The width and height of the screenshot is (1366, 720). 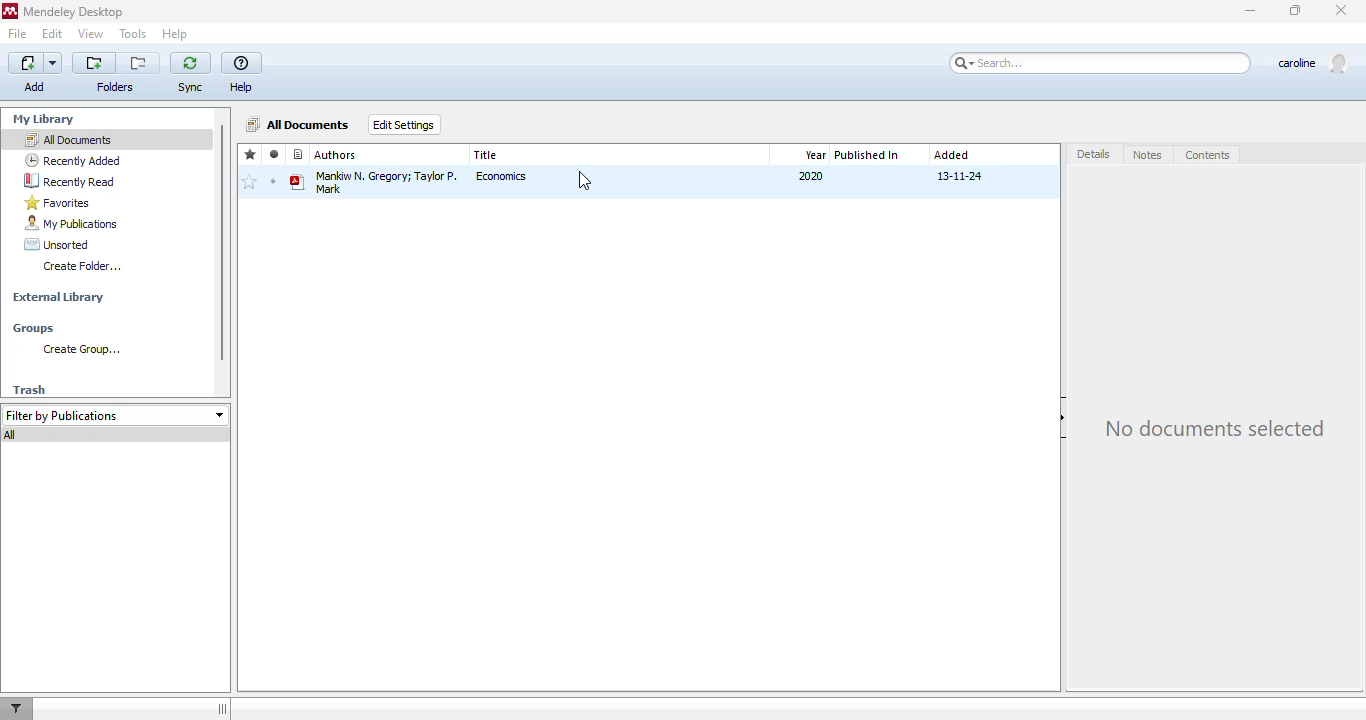 I want to click on filter by publications, so click(x=114, y=415).